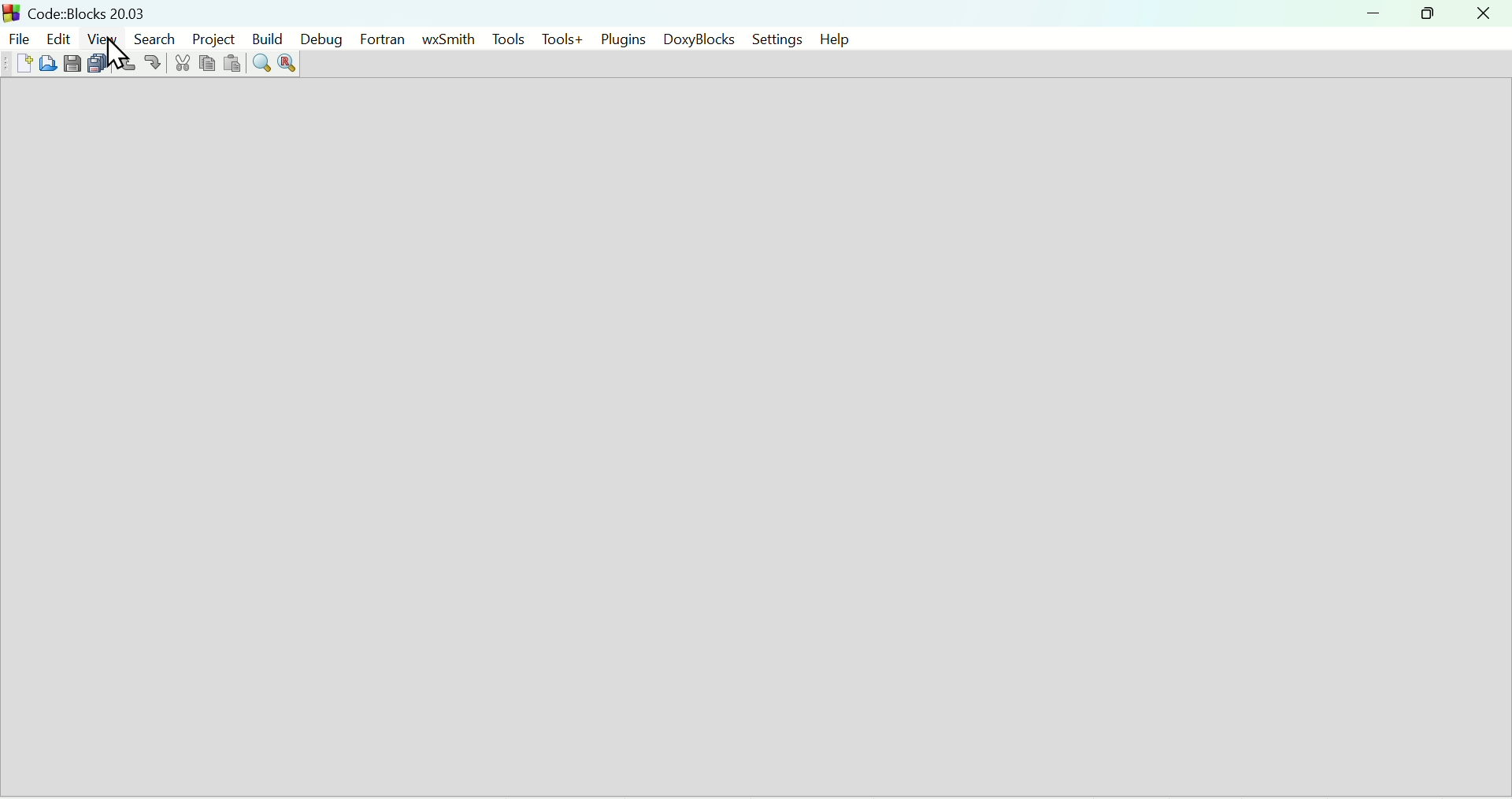 The image size is (1512, 799). What do you see at coordinates (1483, 13) in the screenshot?
I see `Close` at bounding box center [1483, 13].